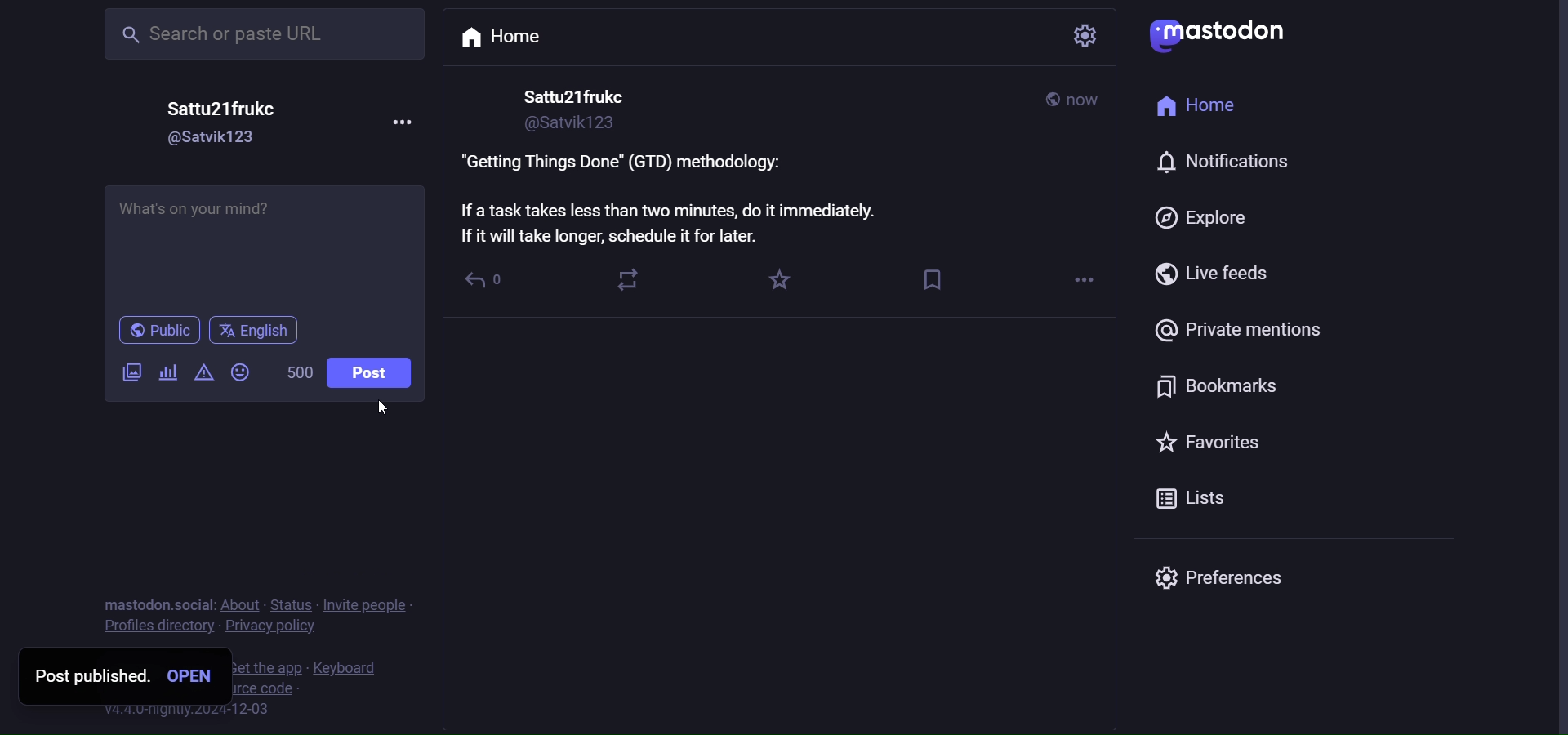 The height and width of the screenshot is (735, 1568). I want to click on word limit, so click(300, 374).